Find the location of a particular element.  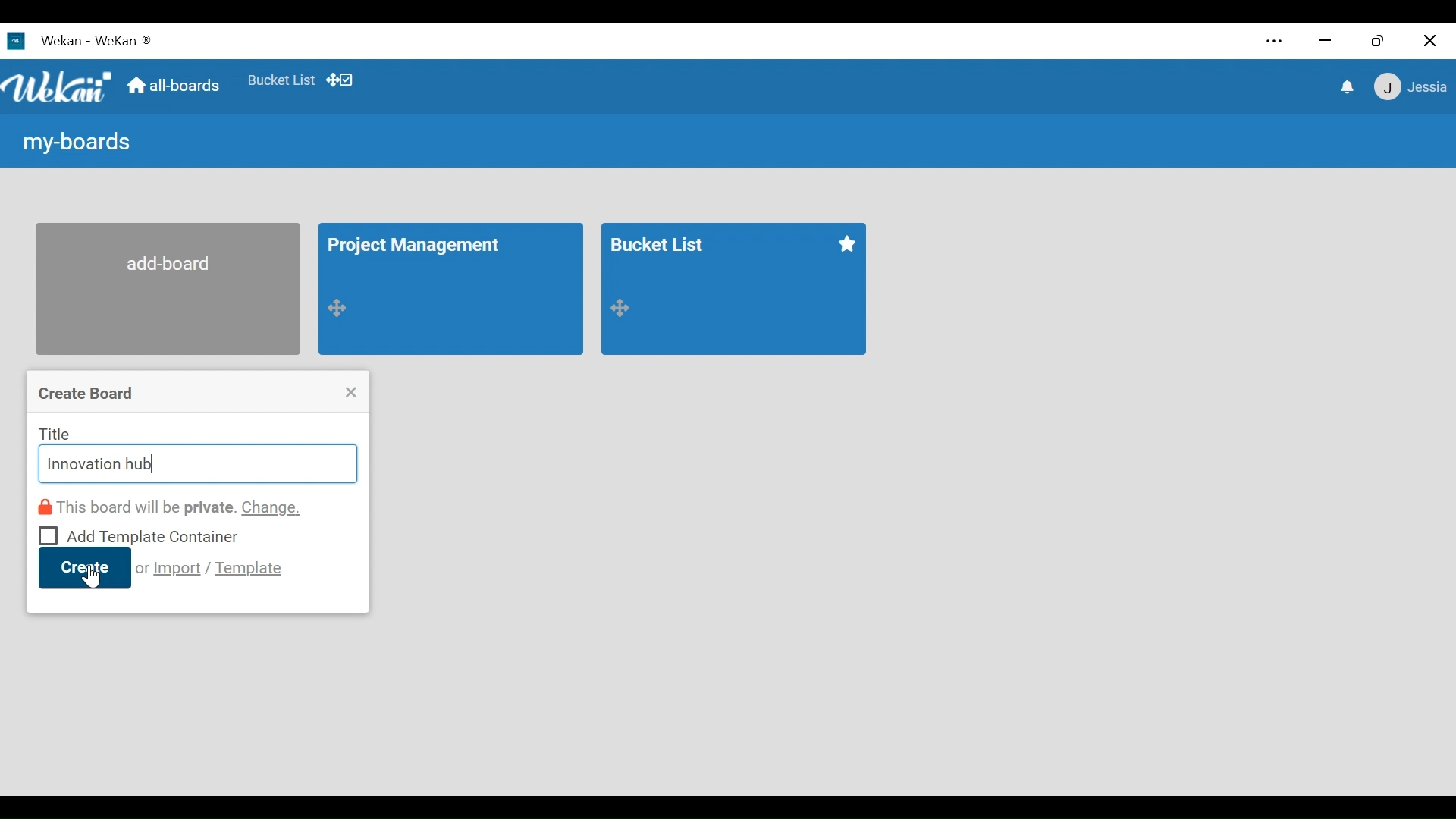

Wekan is located at coordinates (124, 40).